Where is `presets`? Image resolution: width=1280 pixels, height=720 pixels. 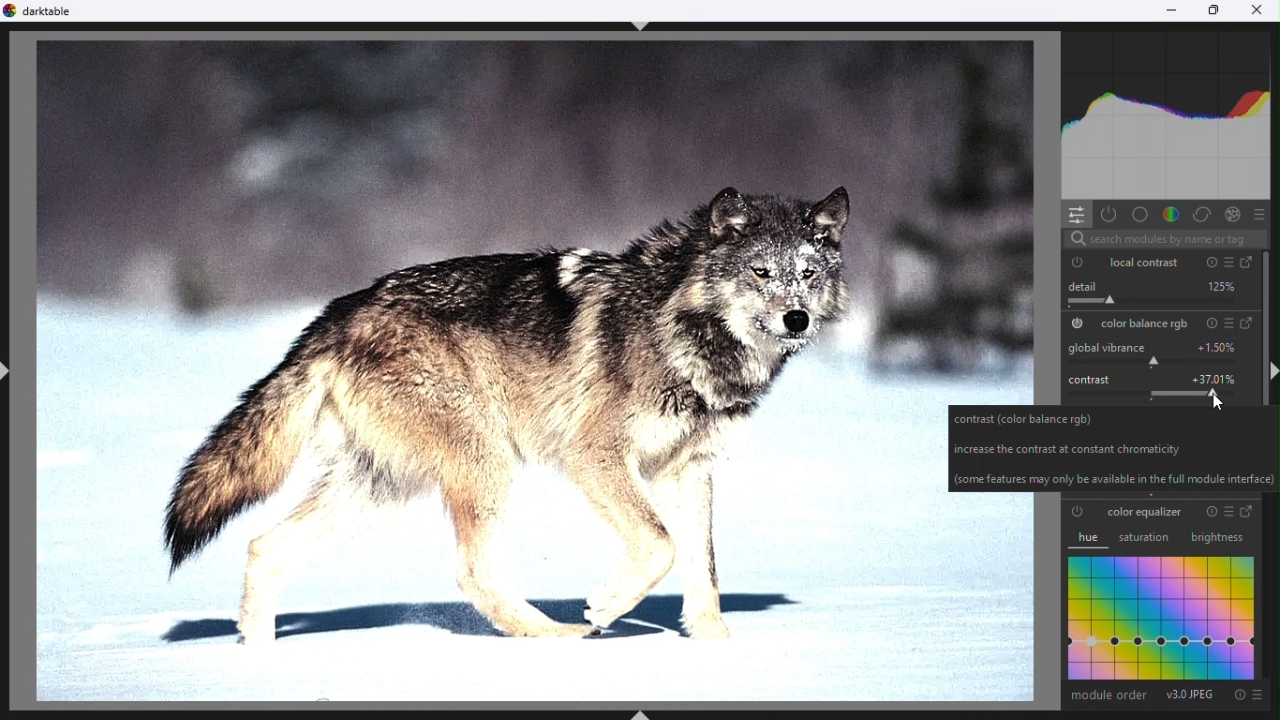 presets is located at coordinates (1257, 697).